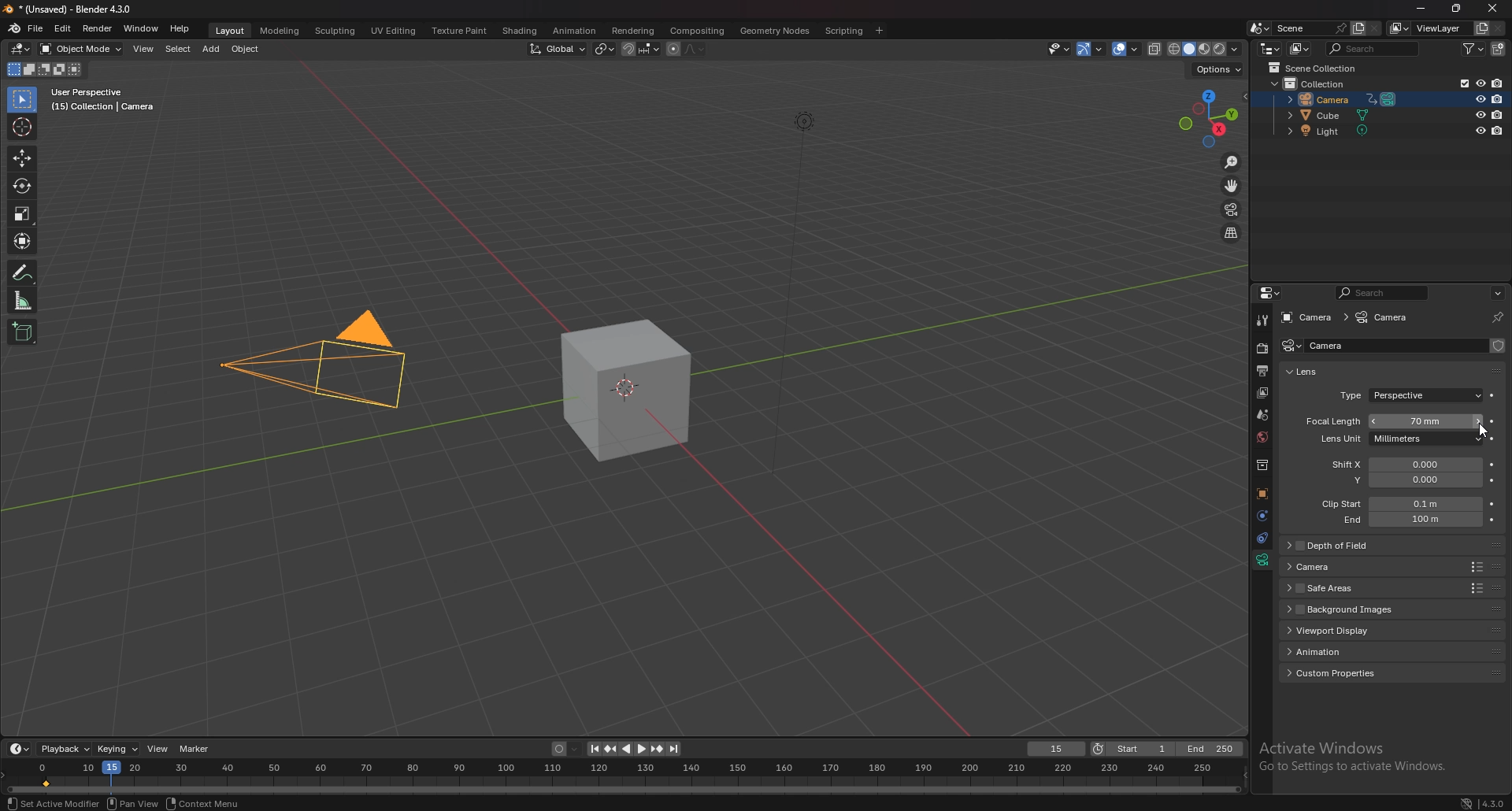 The width and height of the screenshot is (1512, 811). I want to click on cursor, so click(24, 126).